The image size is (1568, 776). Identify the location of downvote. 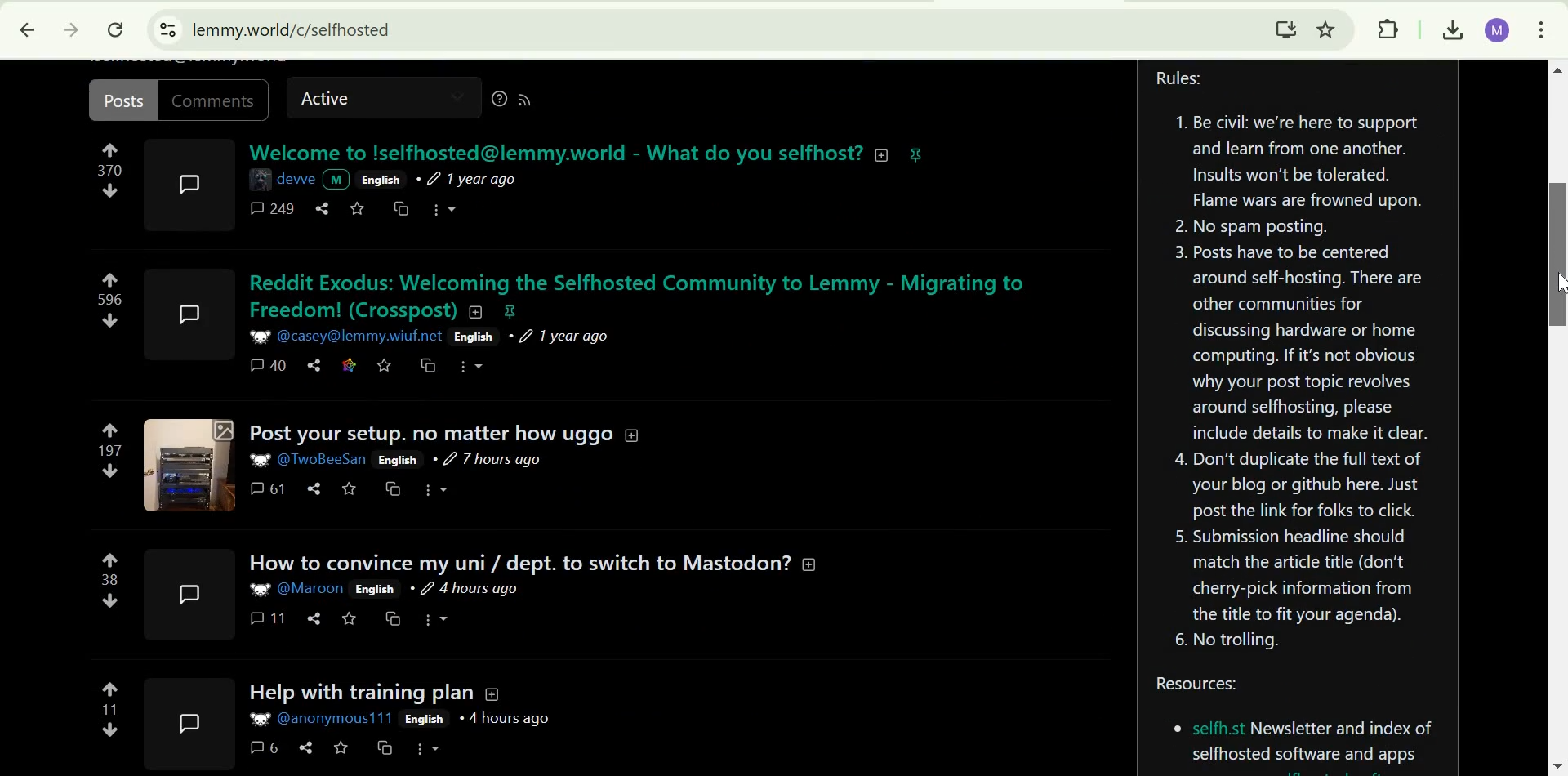
(111, 600).